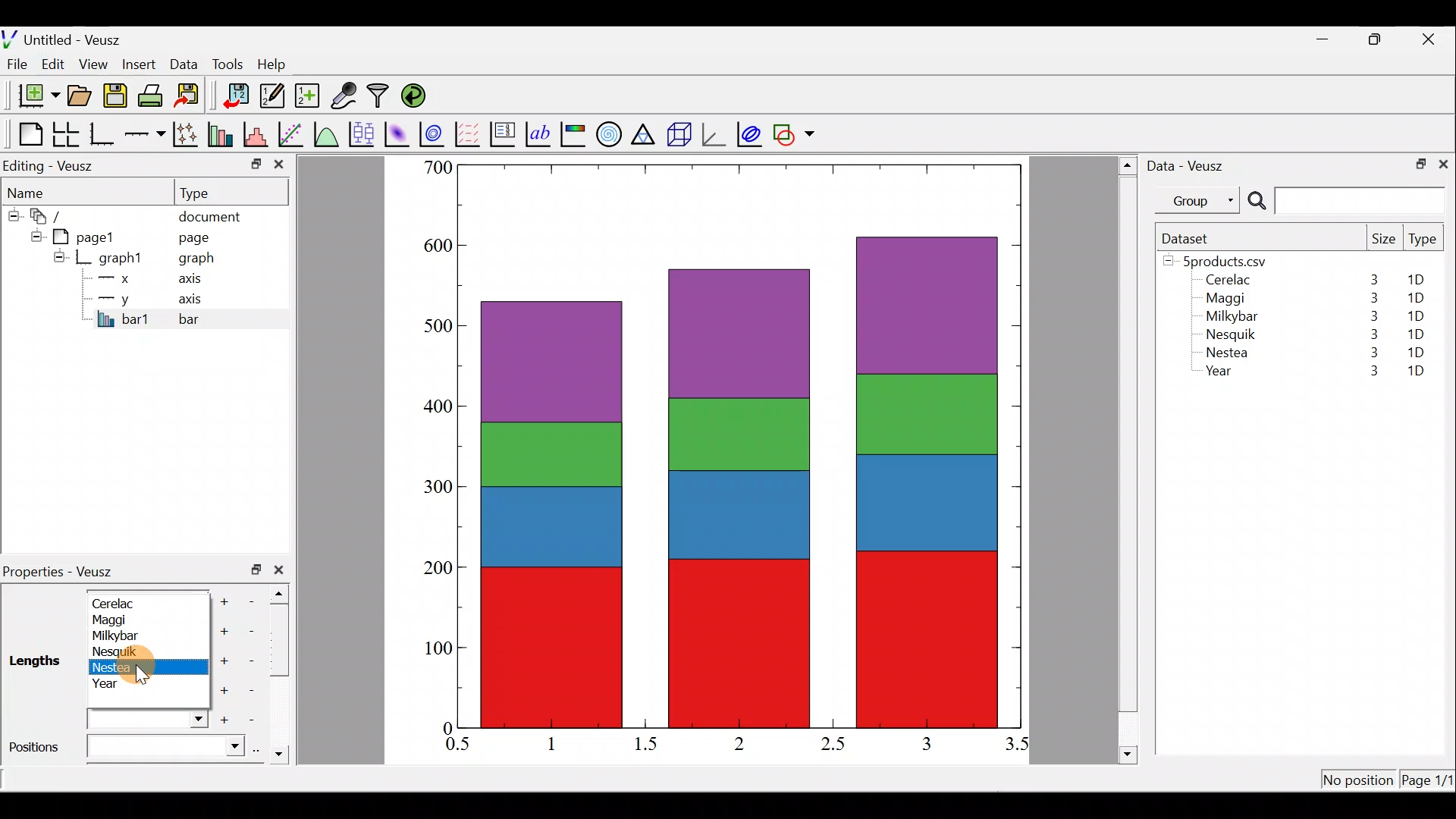 The image size is (1456, 819). Describe the element at coordinates (117, 99) in the screenshot. I see `Save the document` at that location.